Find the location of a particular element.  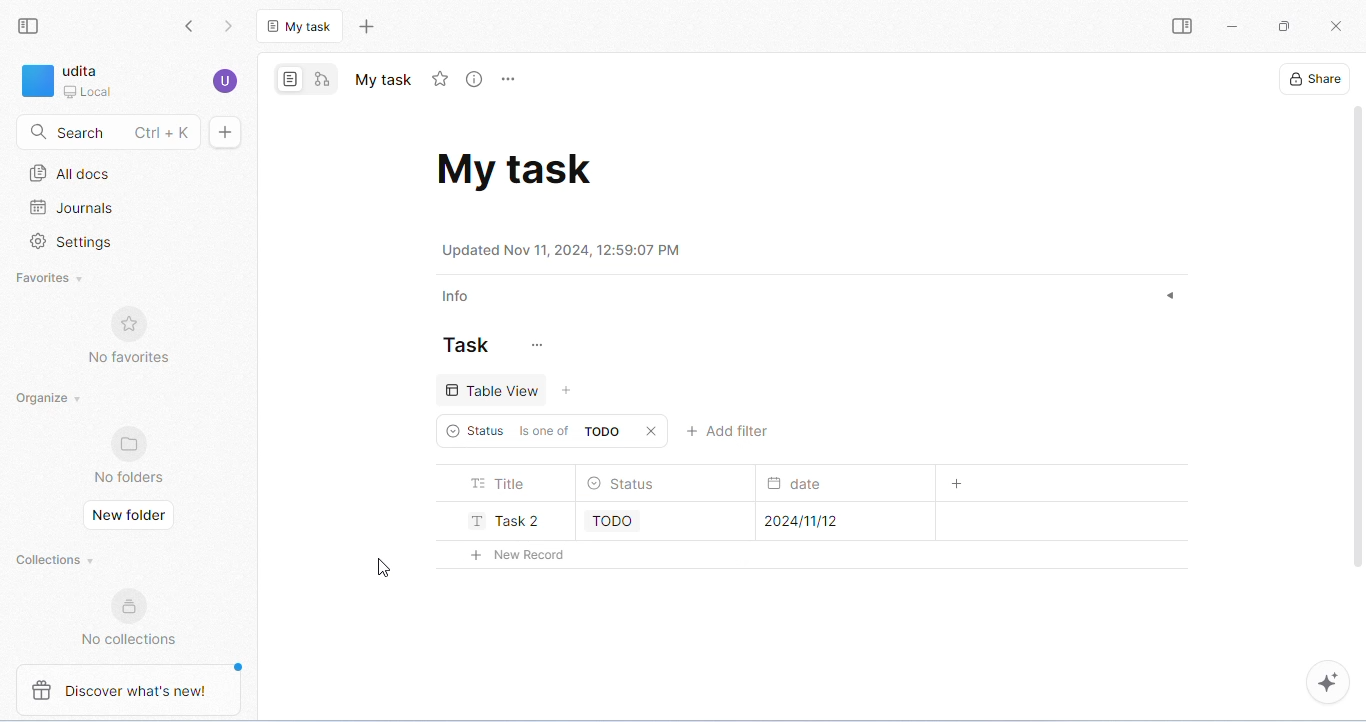

organize is located at coordinates (48, 398).